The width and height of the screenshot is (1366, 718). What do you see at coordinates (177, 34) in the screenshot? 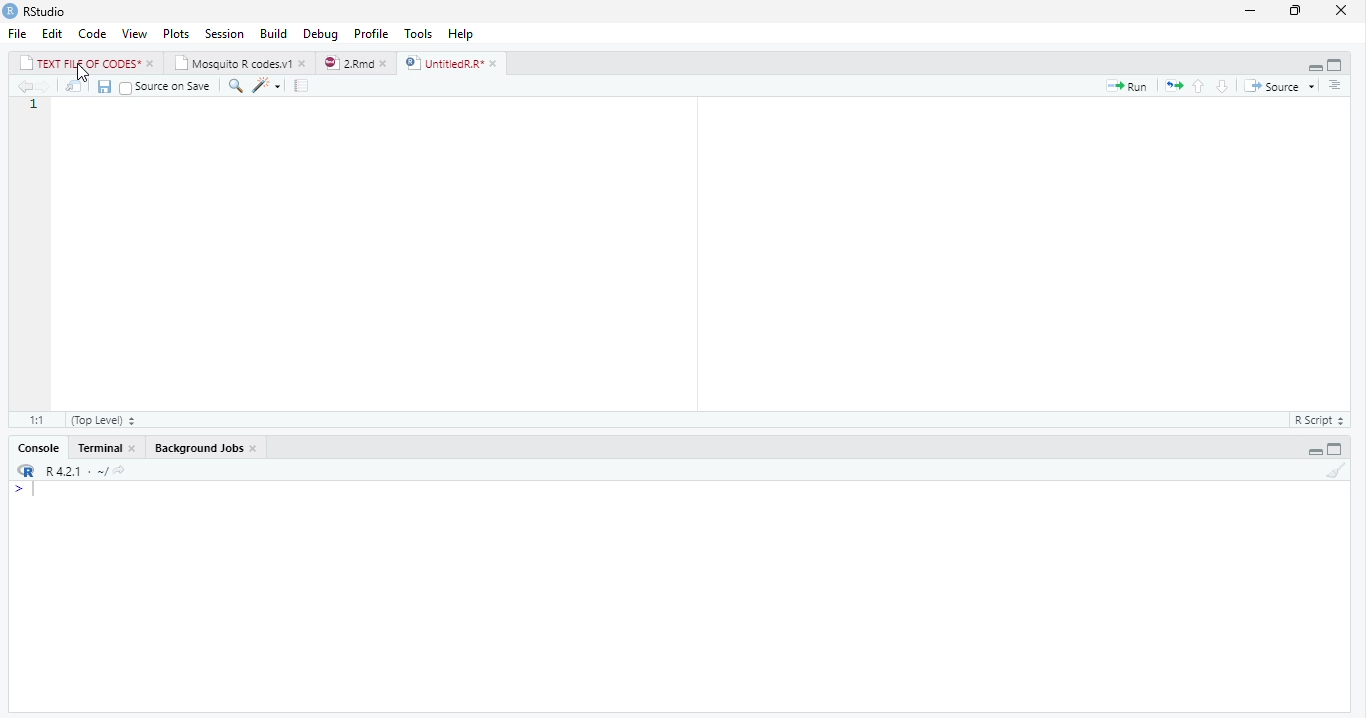
I see `plots` at bounding box center [177, 34].